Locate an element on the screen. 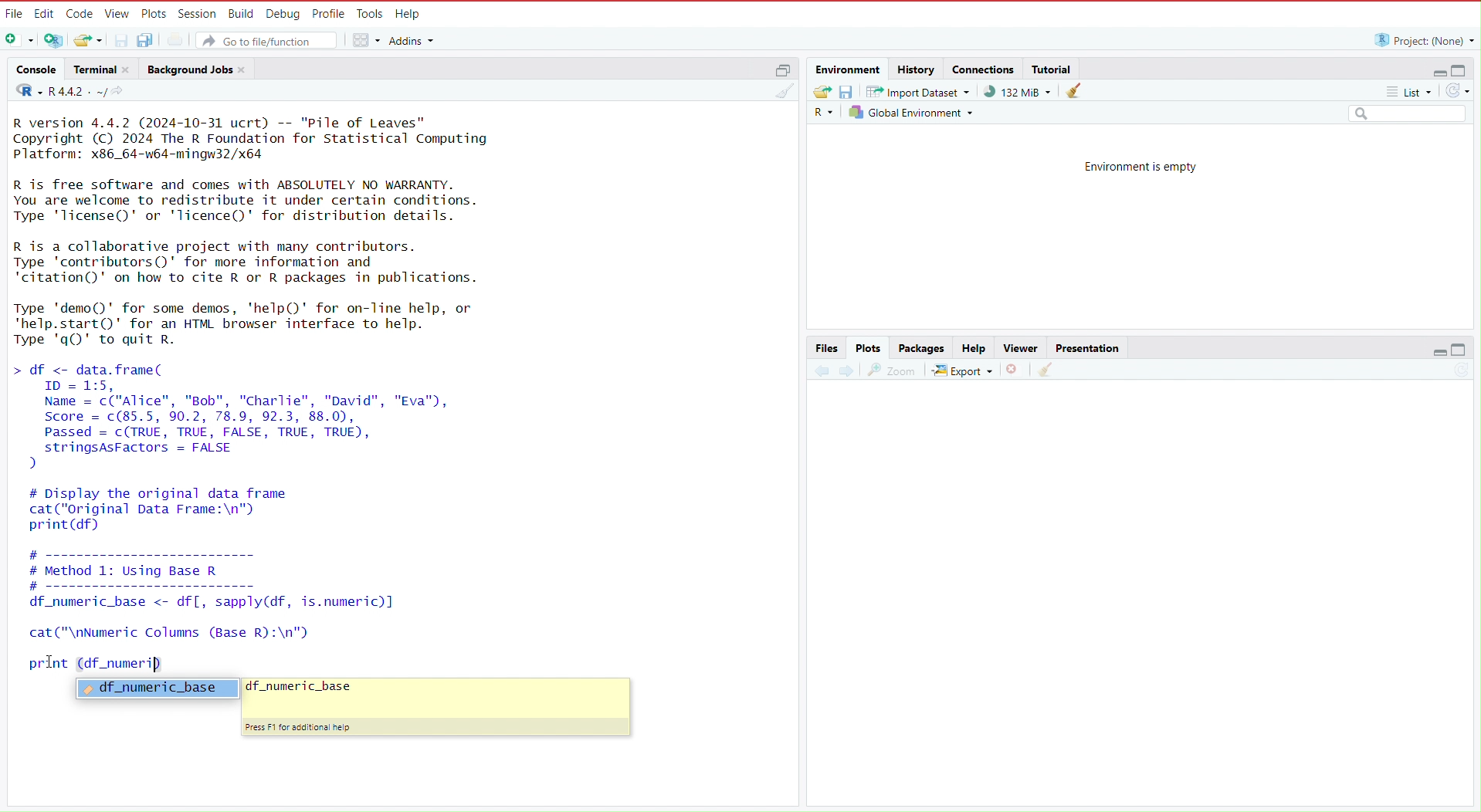 The width and height of the screenshot is (1481, 812). export is located at coordinates (963, 370).